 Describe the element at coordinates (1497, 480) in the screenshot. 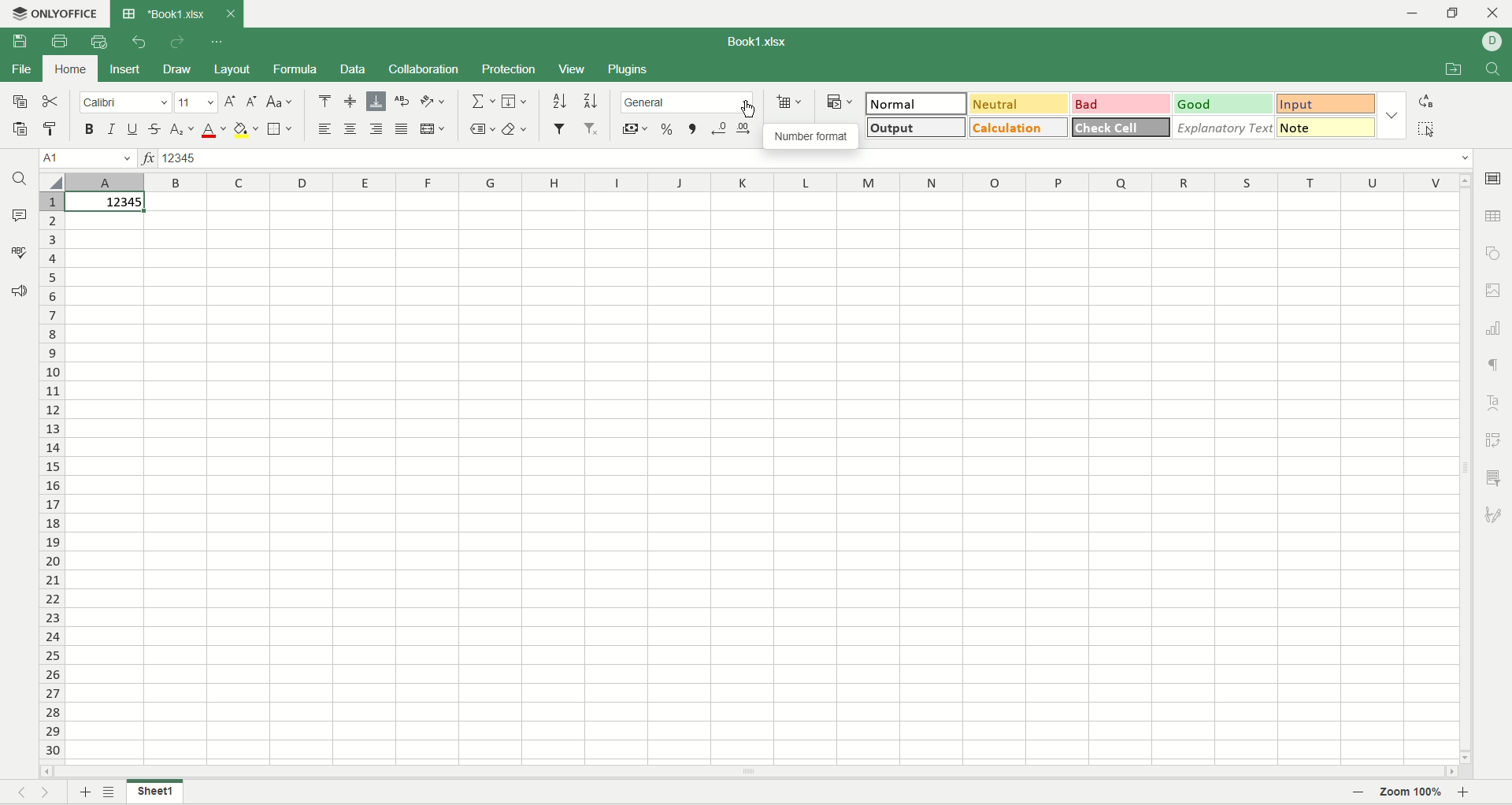

I see `slicer settings` at that location.